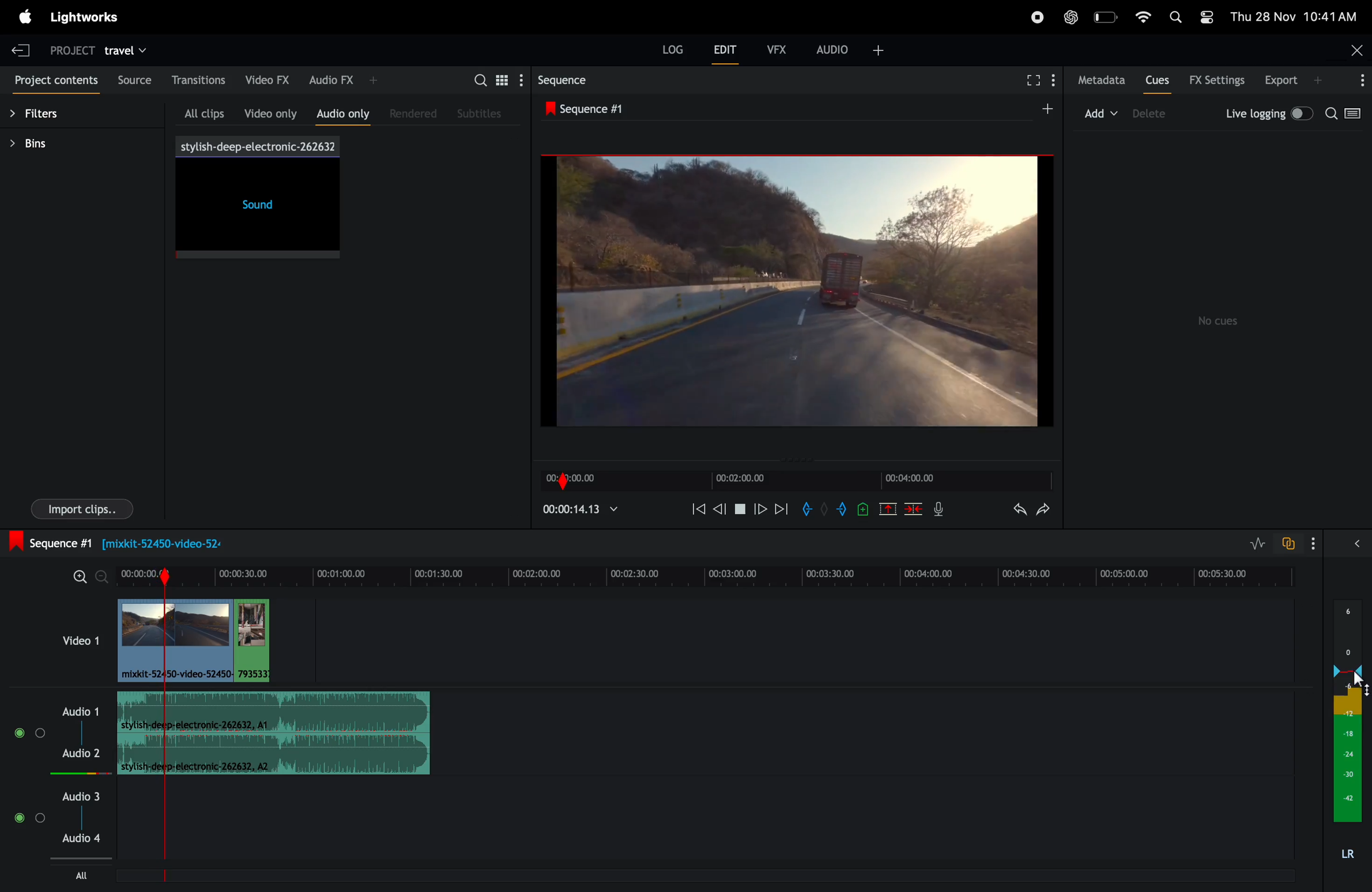  Describe the element at coordinates (1190, 14) in the screenshot. I see `apple widgets` at that location.